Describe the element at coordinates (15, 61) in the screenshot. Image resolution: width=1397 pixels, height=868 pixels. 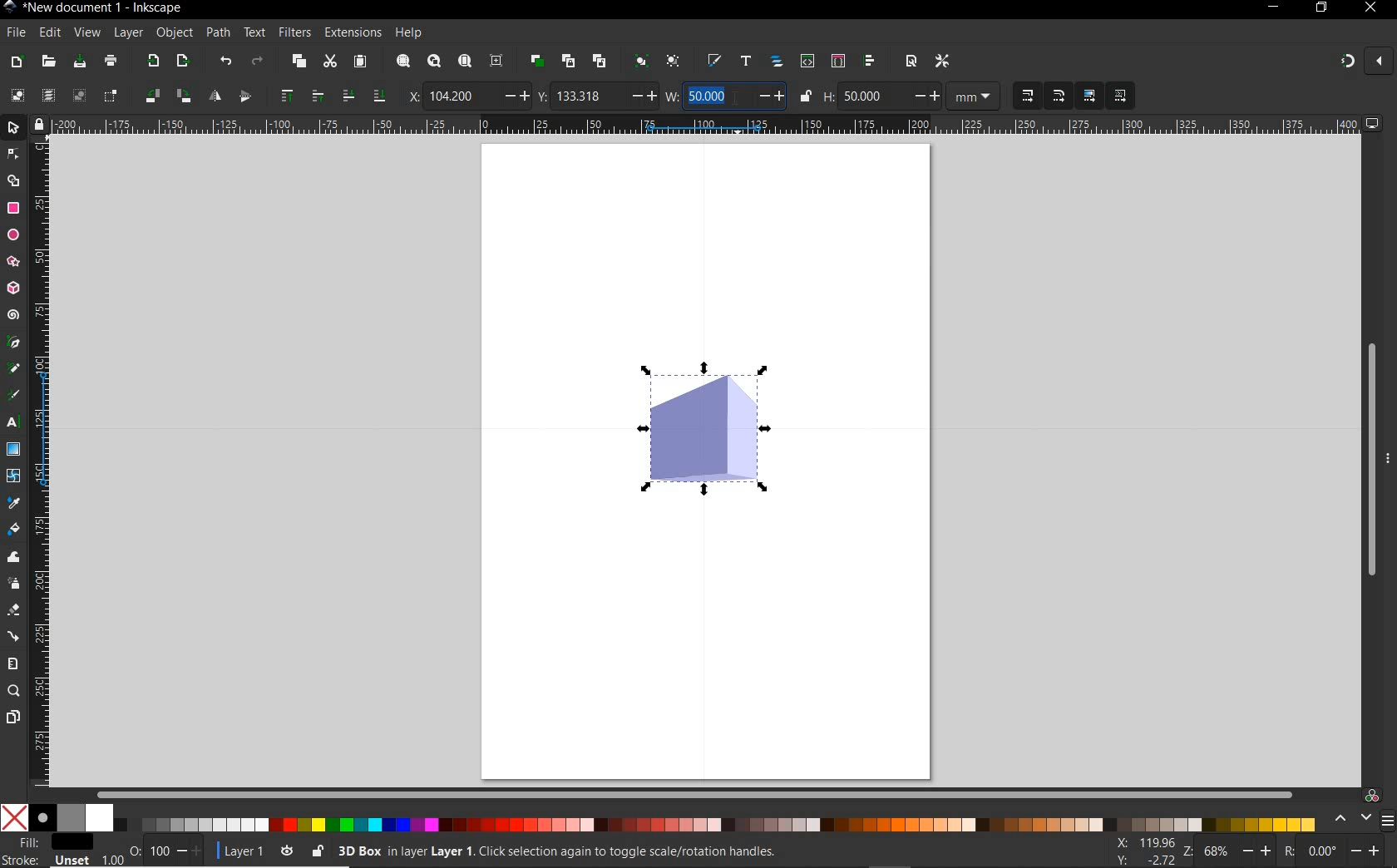
I see `new` at that location.